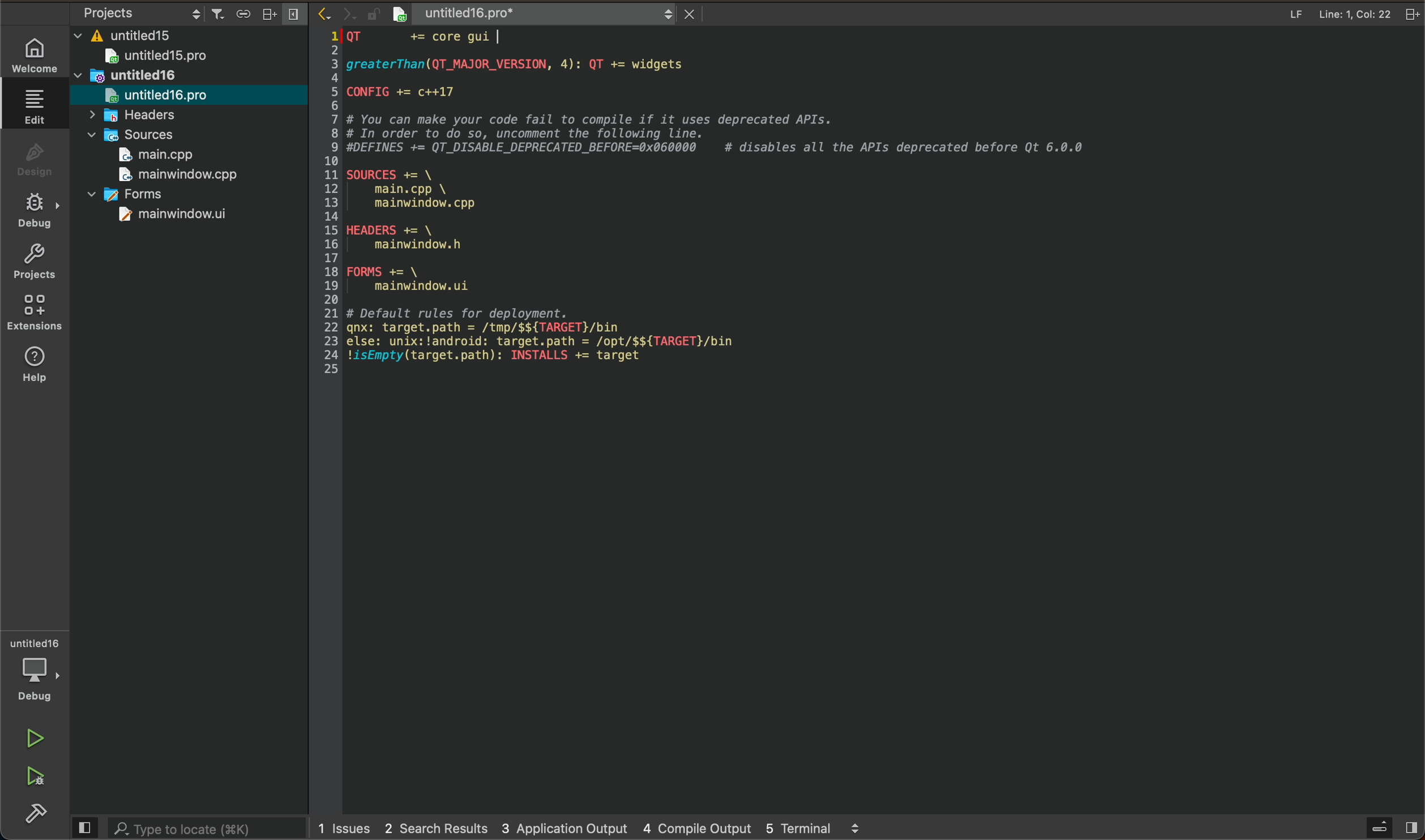  I want to click on mainwindow.cpp, so click(177, 176).